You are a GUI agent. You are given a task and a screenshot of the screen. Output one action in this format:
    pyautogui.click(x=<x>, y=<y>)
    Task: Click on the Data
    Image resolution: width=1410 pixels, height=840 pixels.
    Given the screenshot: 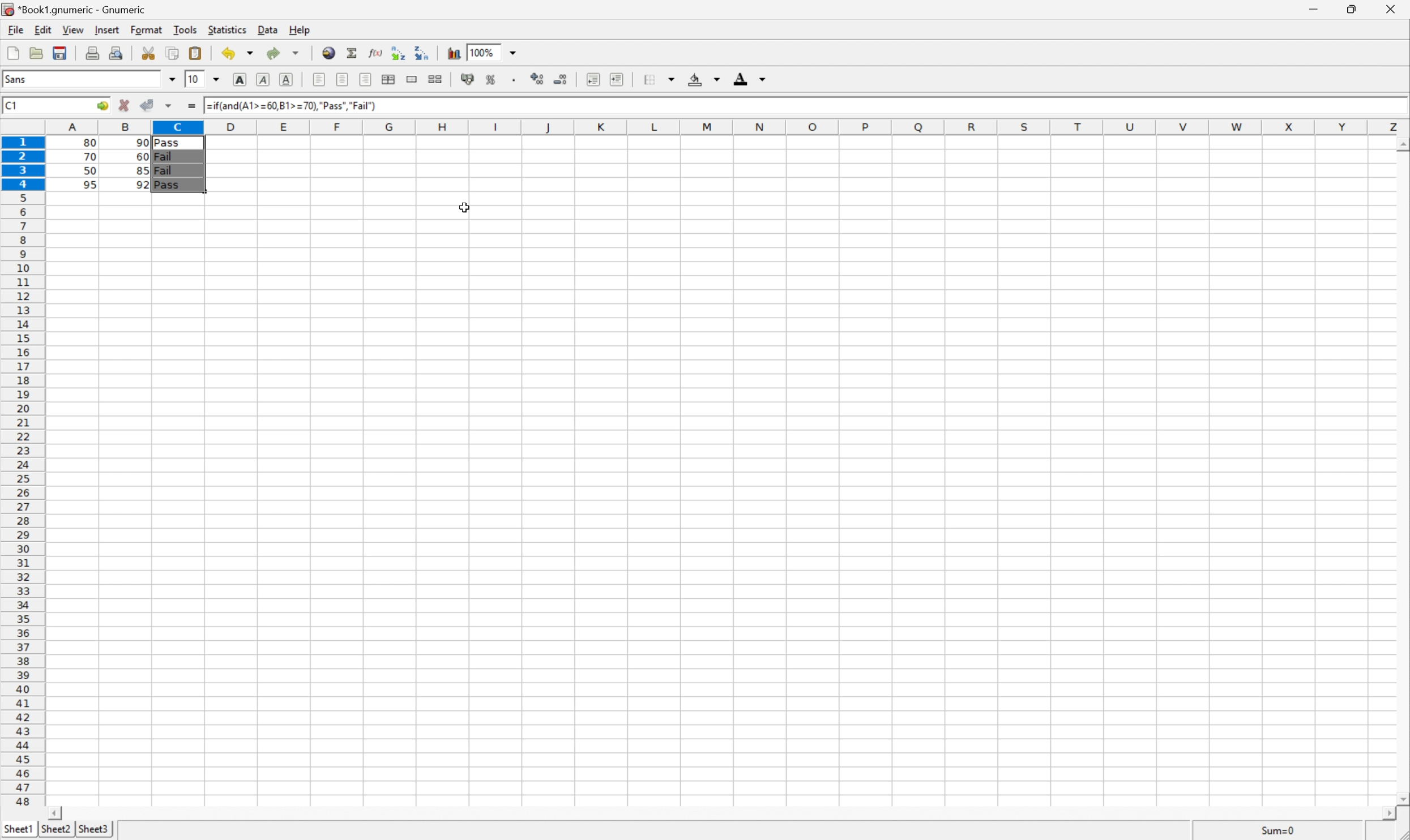 What is the action you would take?
    pyautogui.click(x=268, y=31)
    